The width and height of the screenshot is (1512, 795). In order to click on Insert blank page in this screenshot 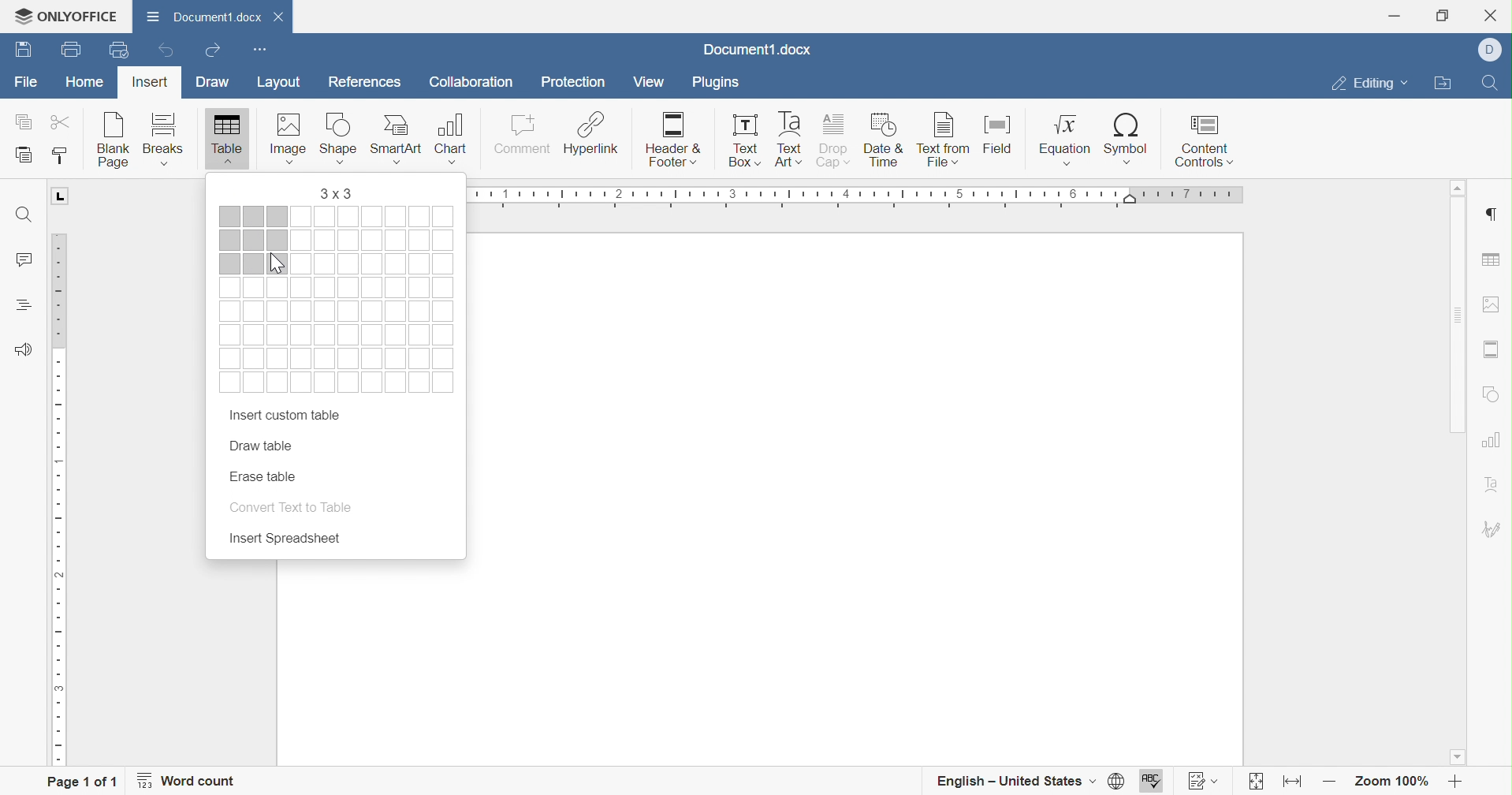, I will do `click(117, 140)`.